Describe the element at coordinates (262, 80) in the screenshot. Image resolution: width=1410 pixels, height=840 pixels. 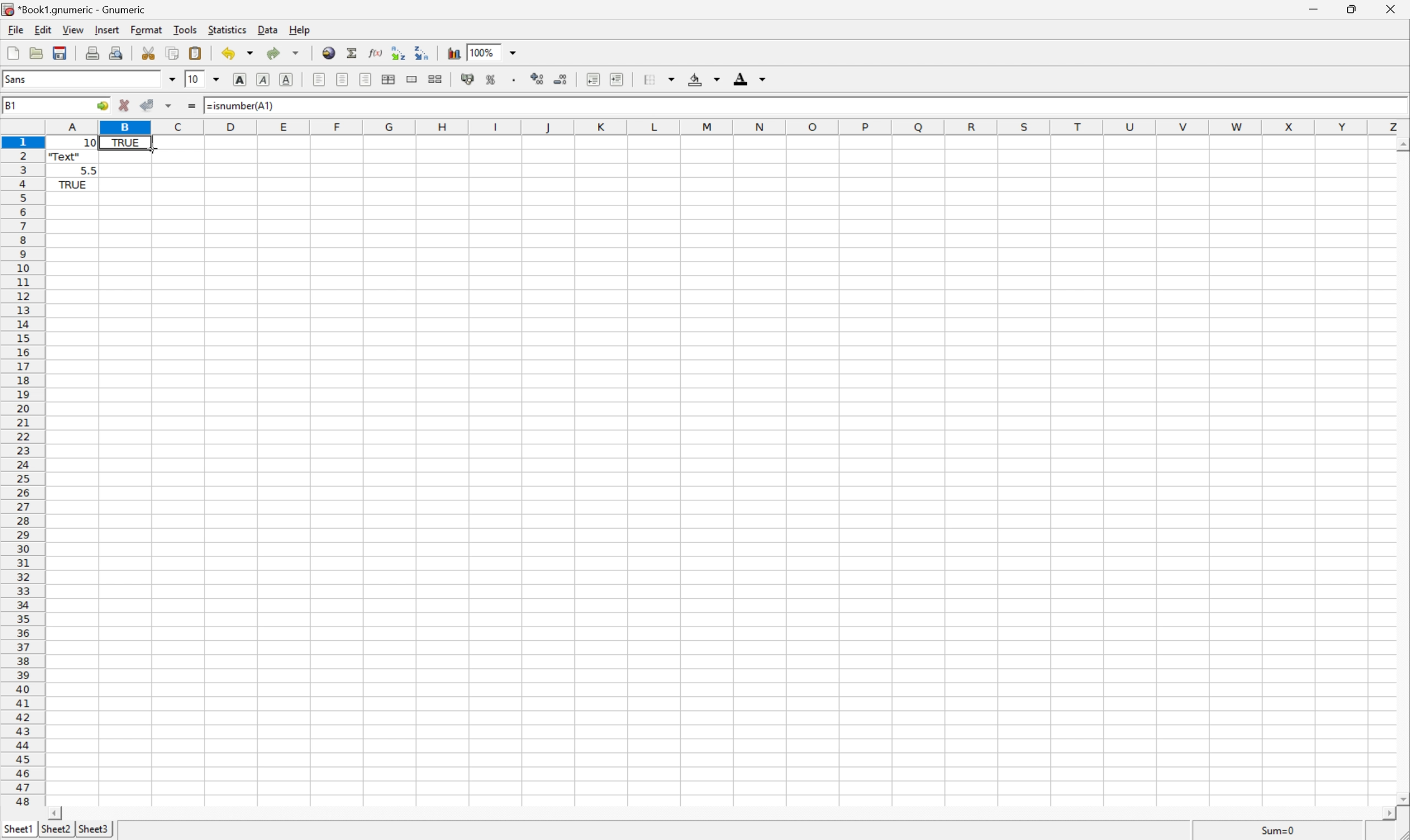
I see `Italic` at that location.